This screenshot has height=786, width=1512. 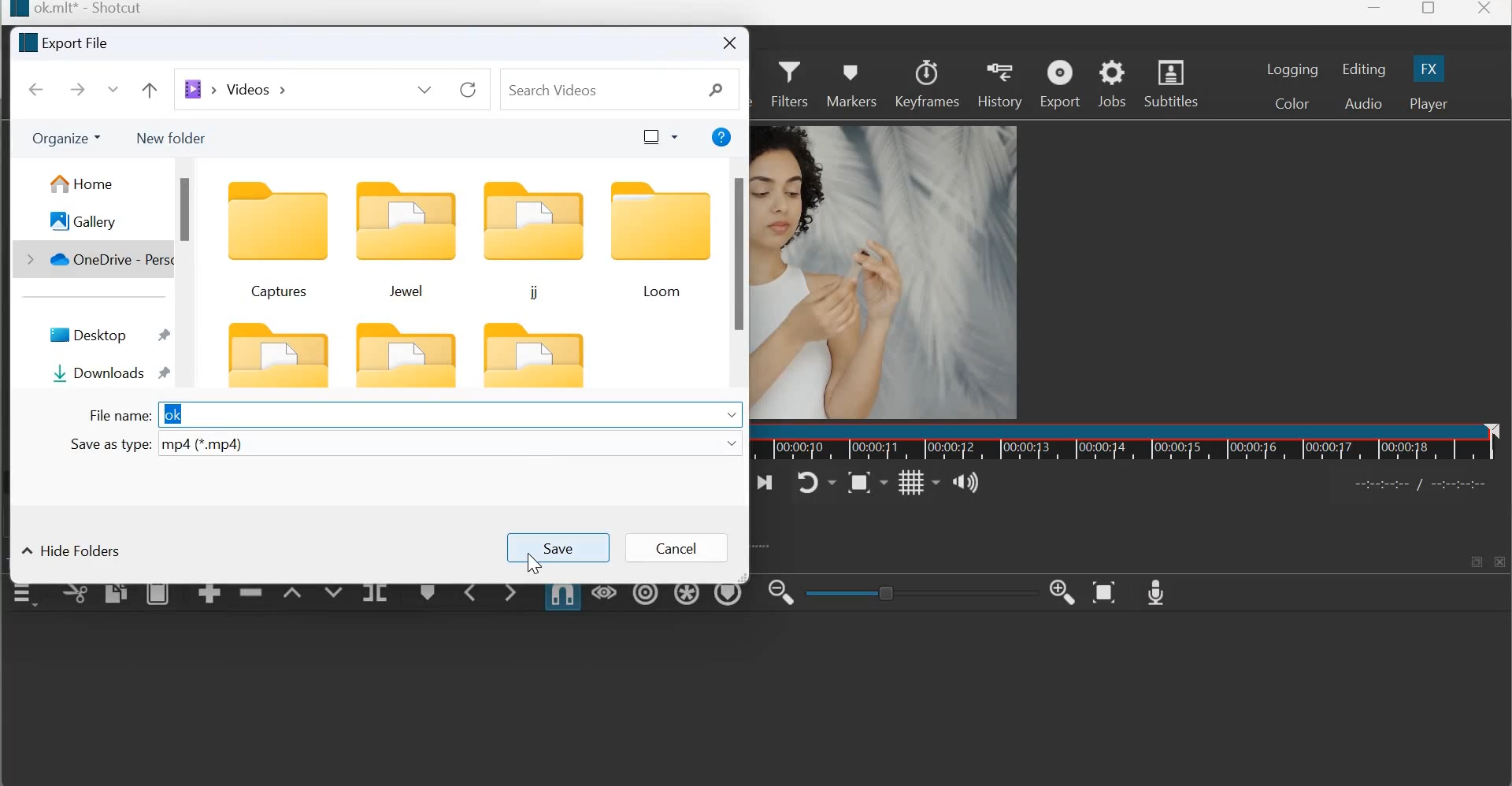 What do you see at coordinates (1487, 12) in the screenshot?
I see `Close` at bounding box center [1487, 12].